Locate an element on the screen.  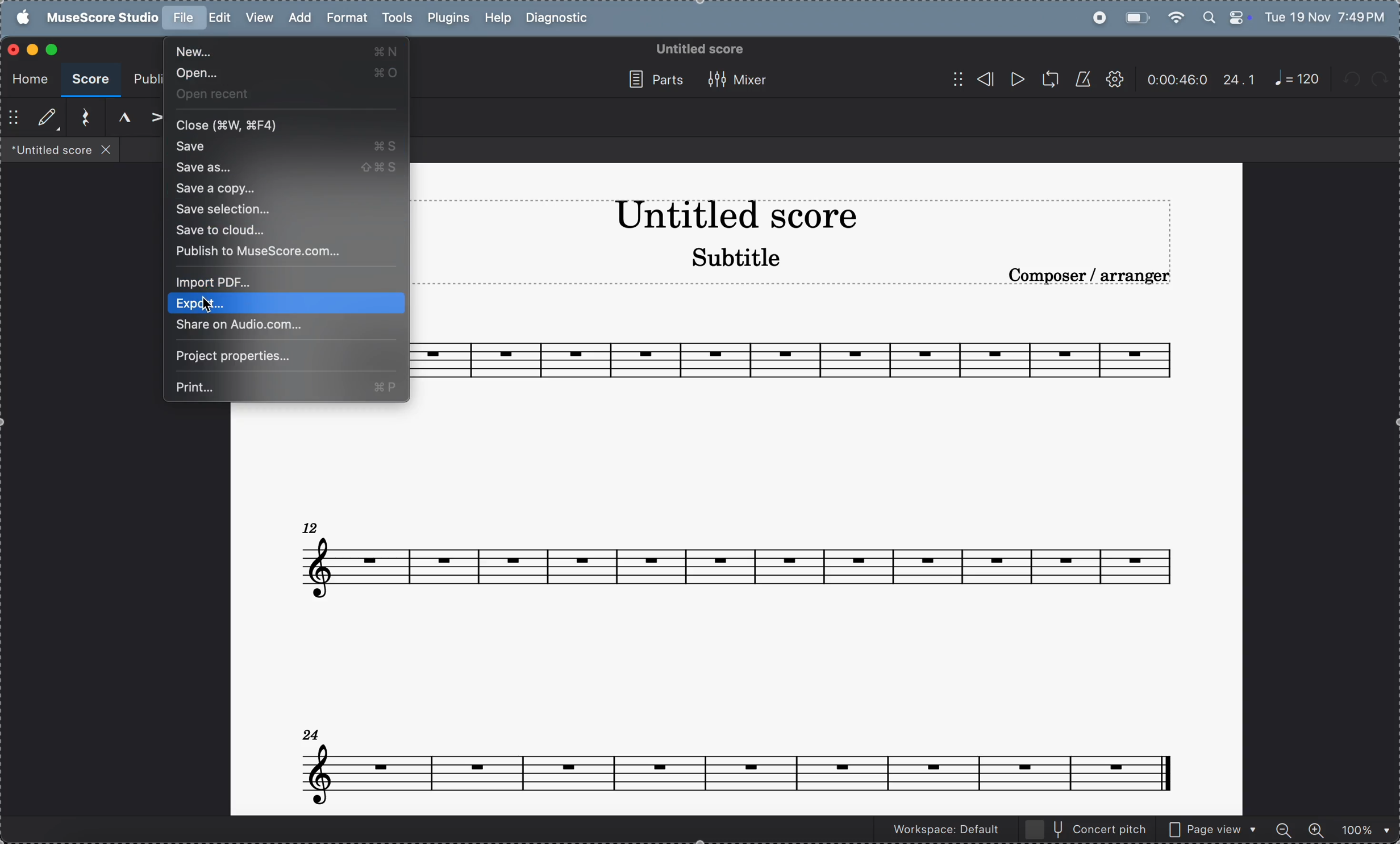
format is located at coordinates (346, 18).